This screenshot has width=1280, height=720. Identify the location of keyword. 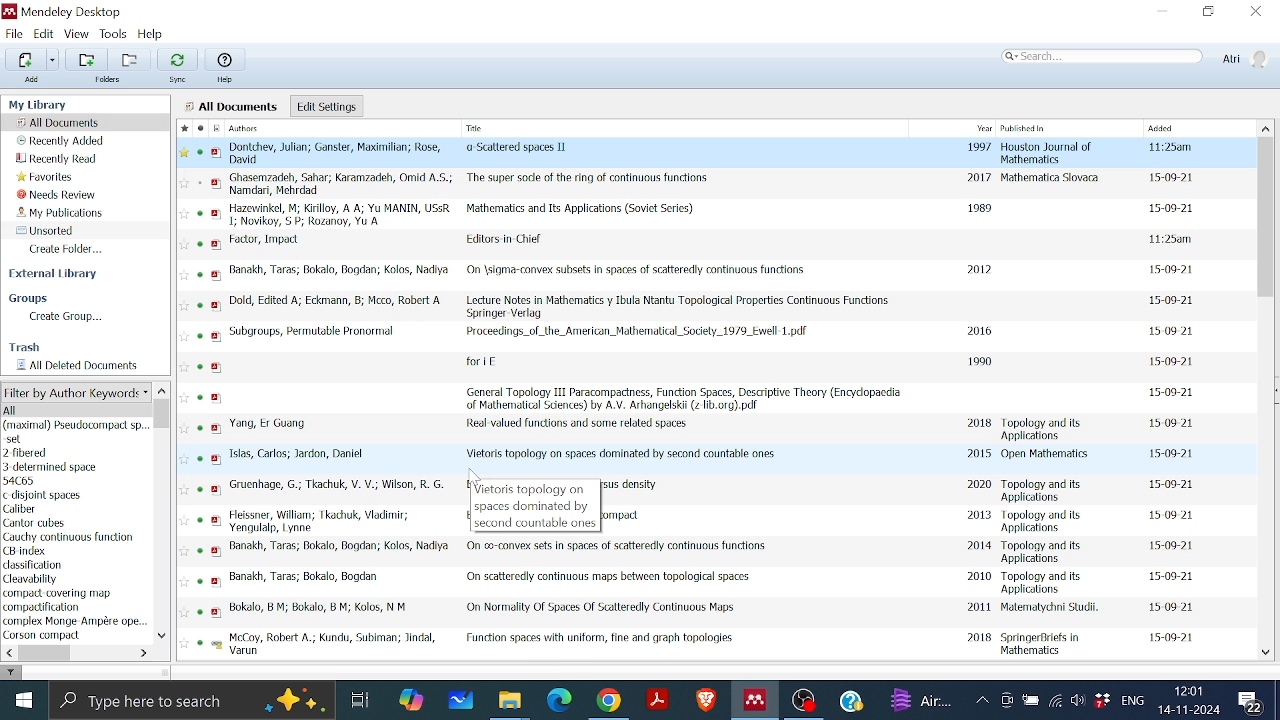
(31, 552).